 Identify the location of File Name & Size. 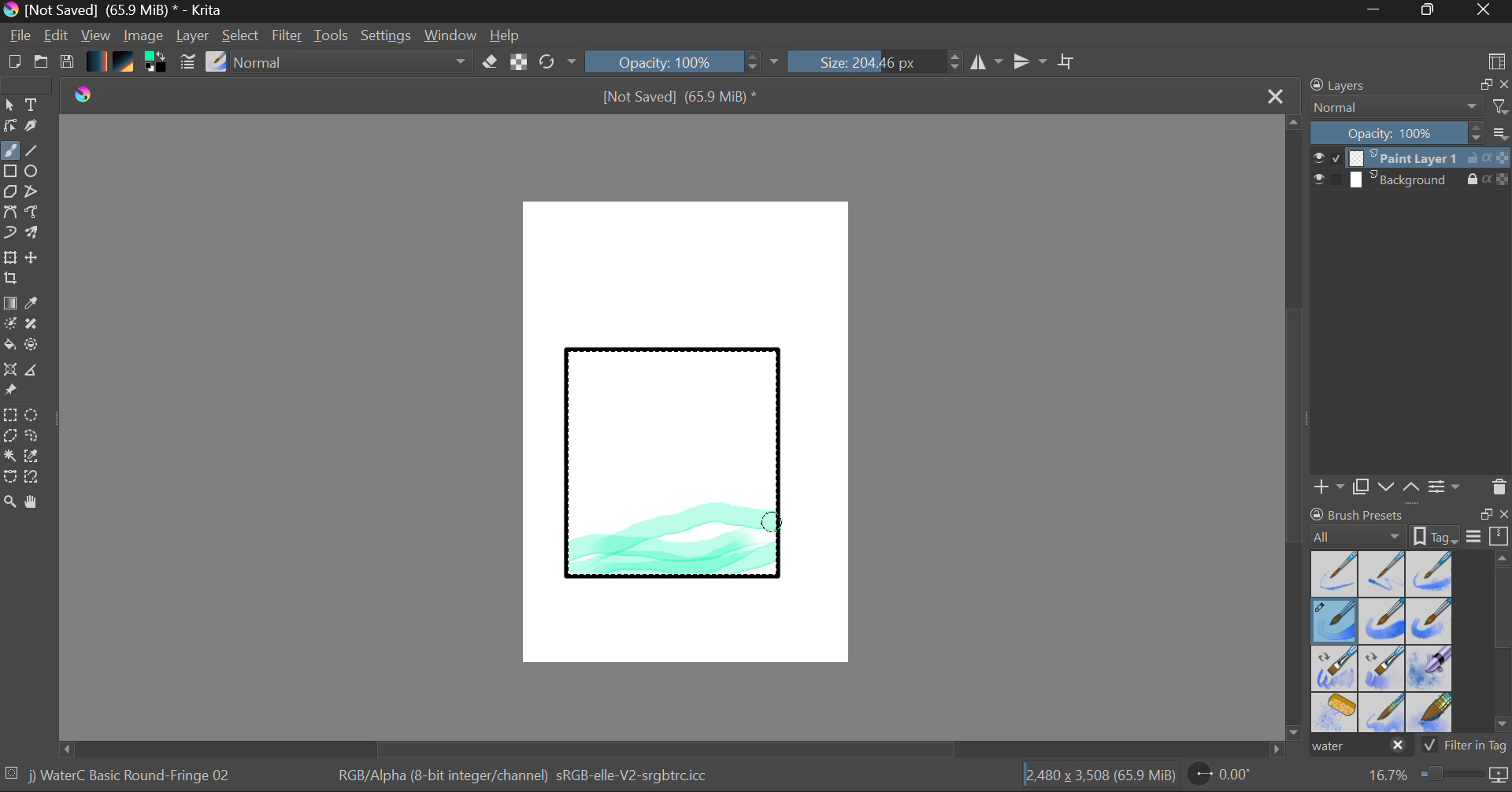
(680, 98).